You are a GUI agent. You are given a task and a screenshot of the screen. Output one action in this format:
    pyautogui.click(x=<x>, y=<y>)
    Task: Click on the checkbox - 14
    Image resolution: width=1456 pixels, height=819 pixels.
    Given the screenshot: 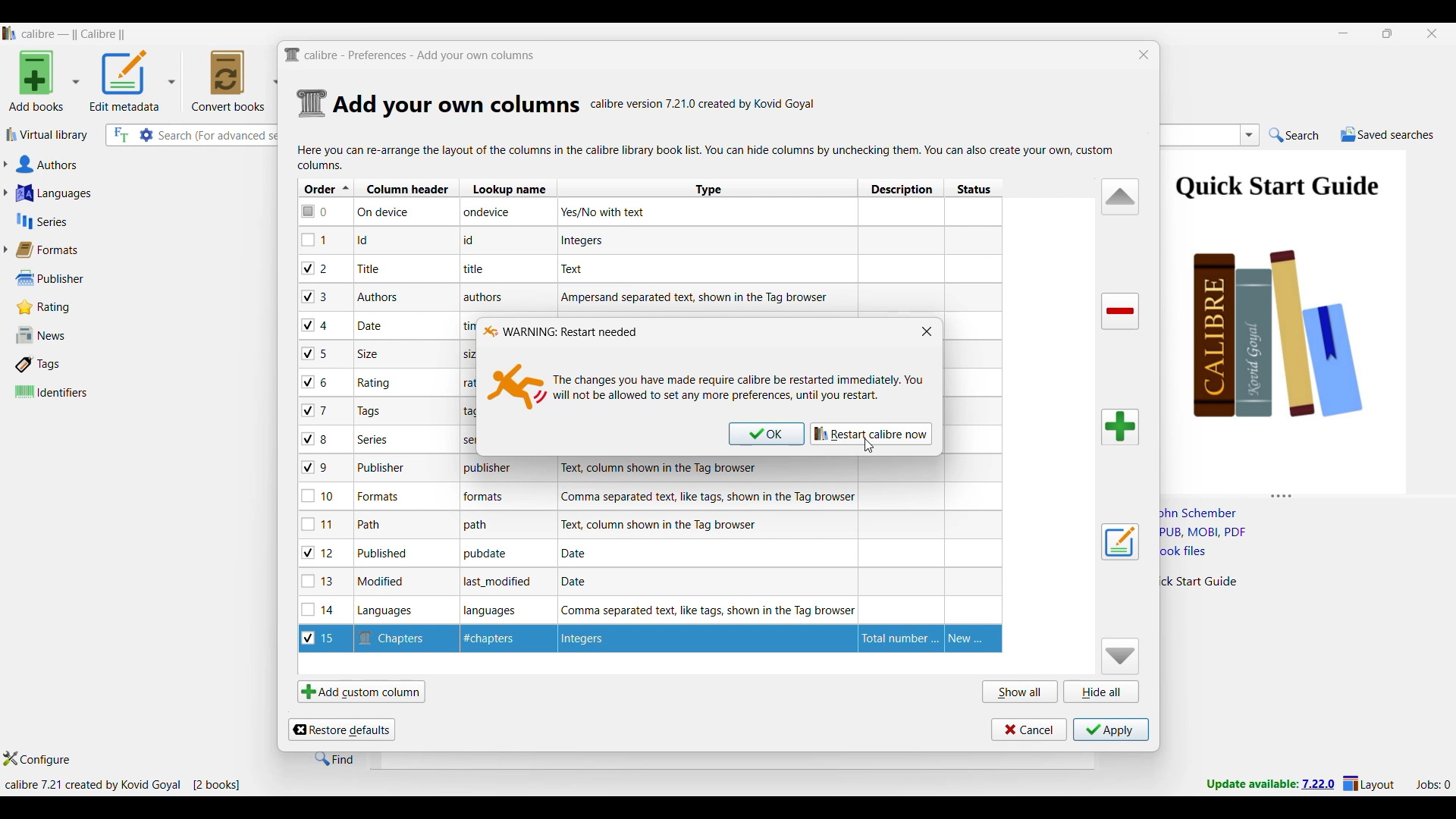 What is the action you would take?
    pyautogui.click(x=318, y=609)
    